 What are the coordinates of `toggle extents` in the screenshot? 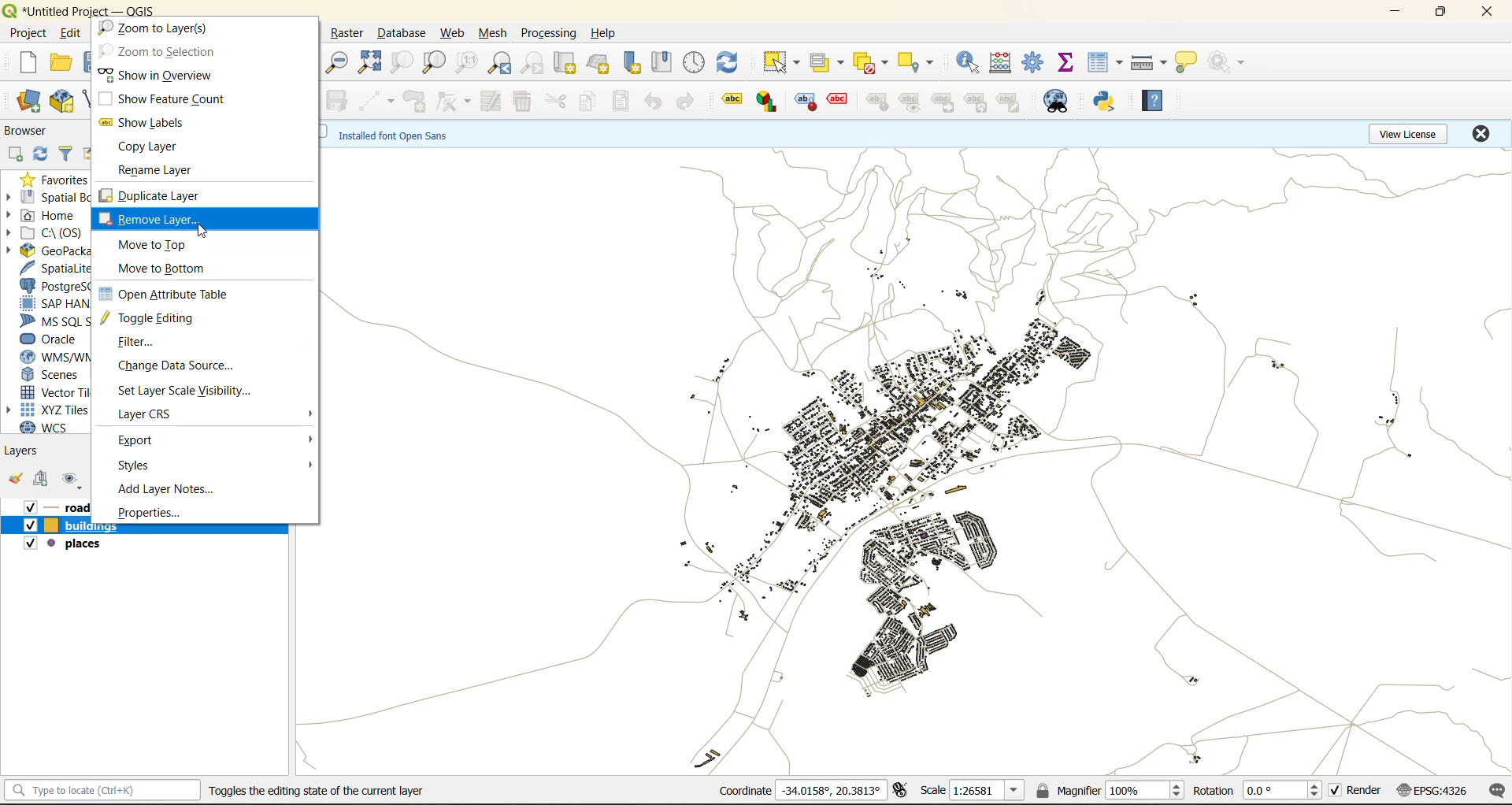 It's located at (907, 790).